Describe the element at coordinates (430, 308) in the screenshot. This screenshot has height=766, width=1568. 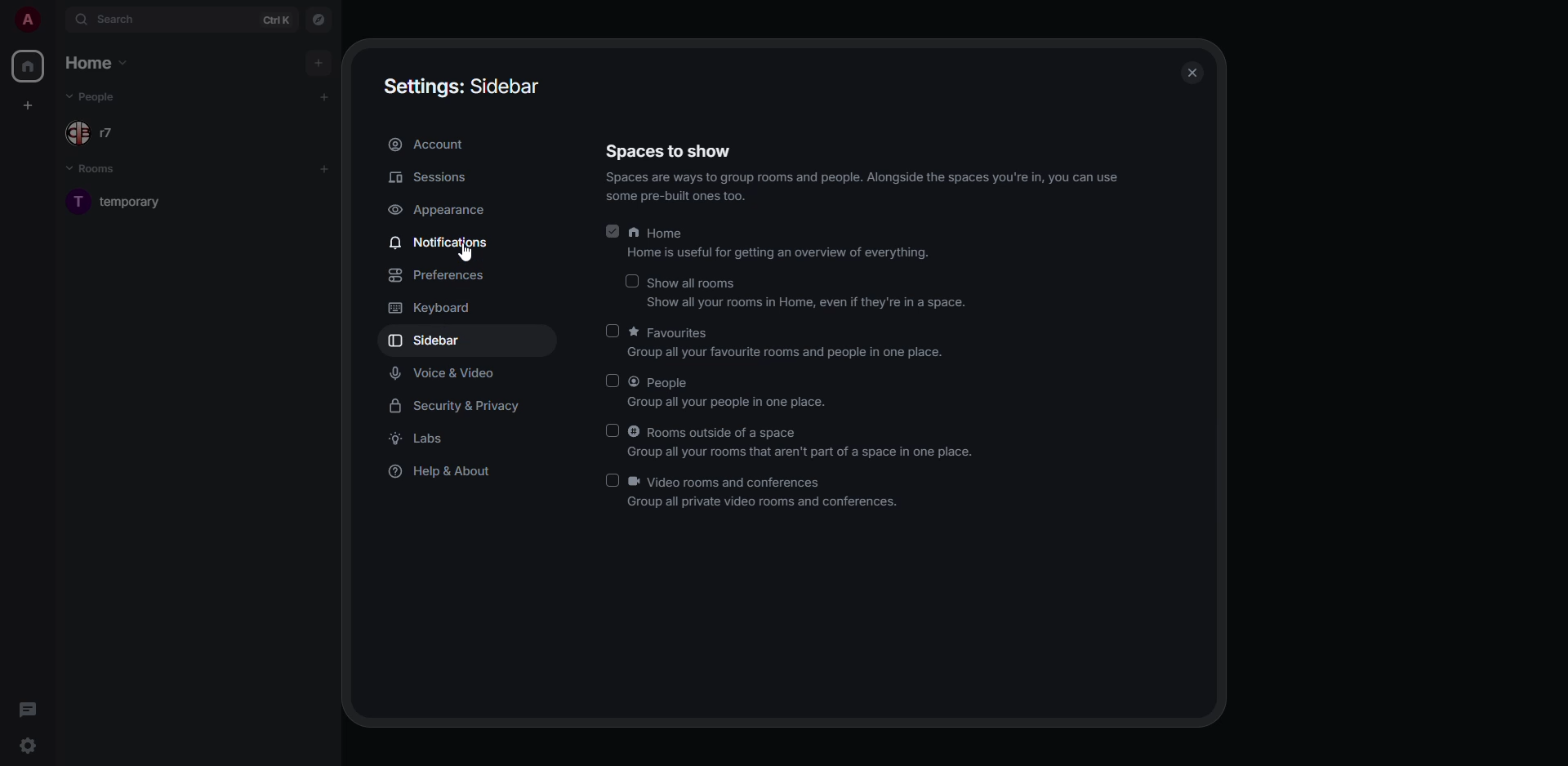
I see `keyboard` at that location.